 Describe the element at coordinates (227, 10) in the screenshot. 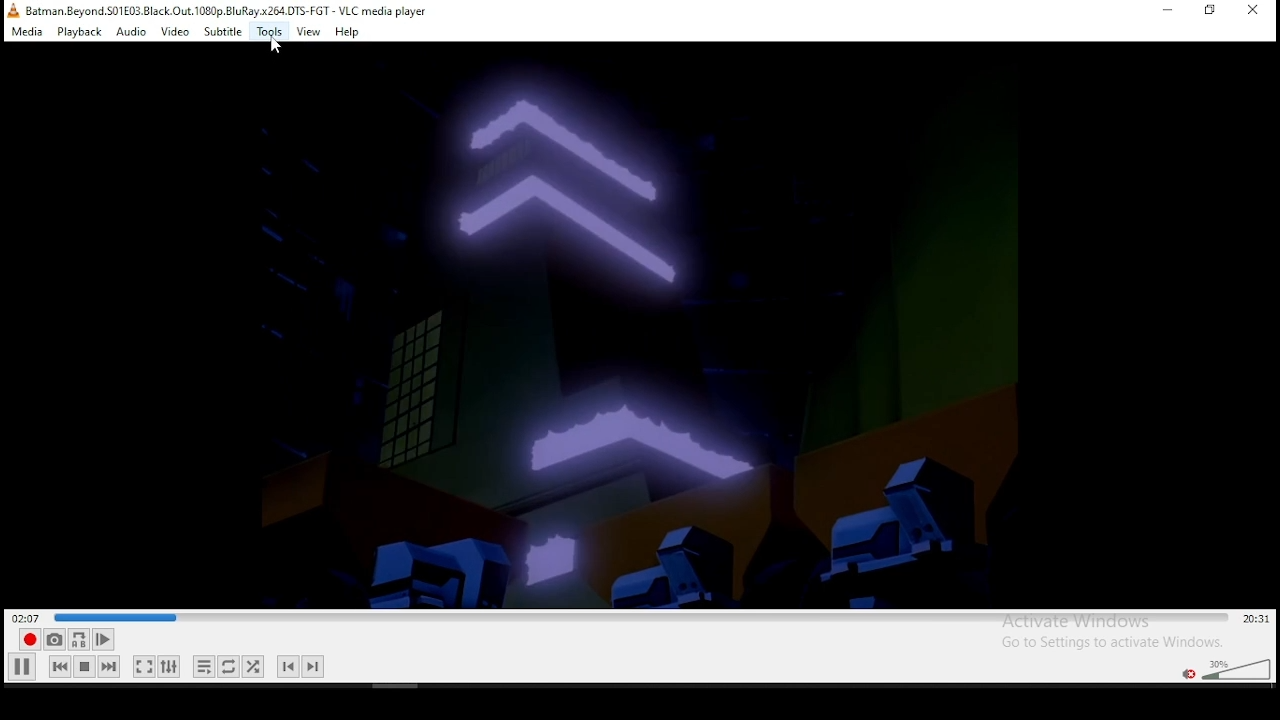

I see `file name` at that location.